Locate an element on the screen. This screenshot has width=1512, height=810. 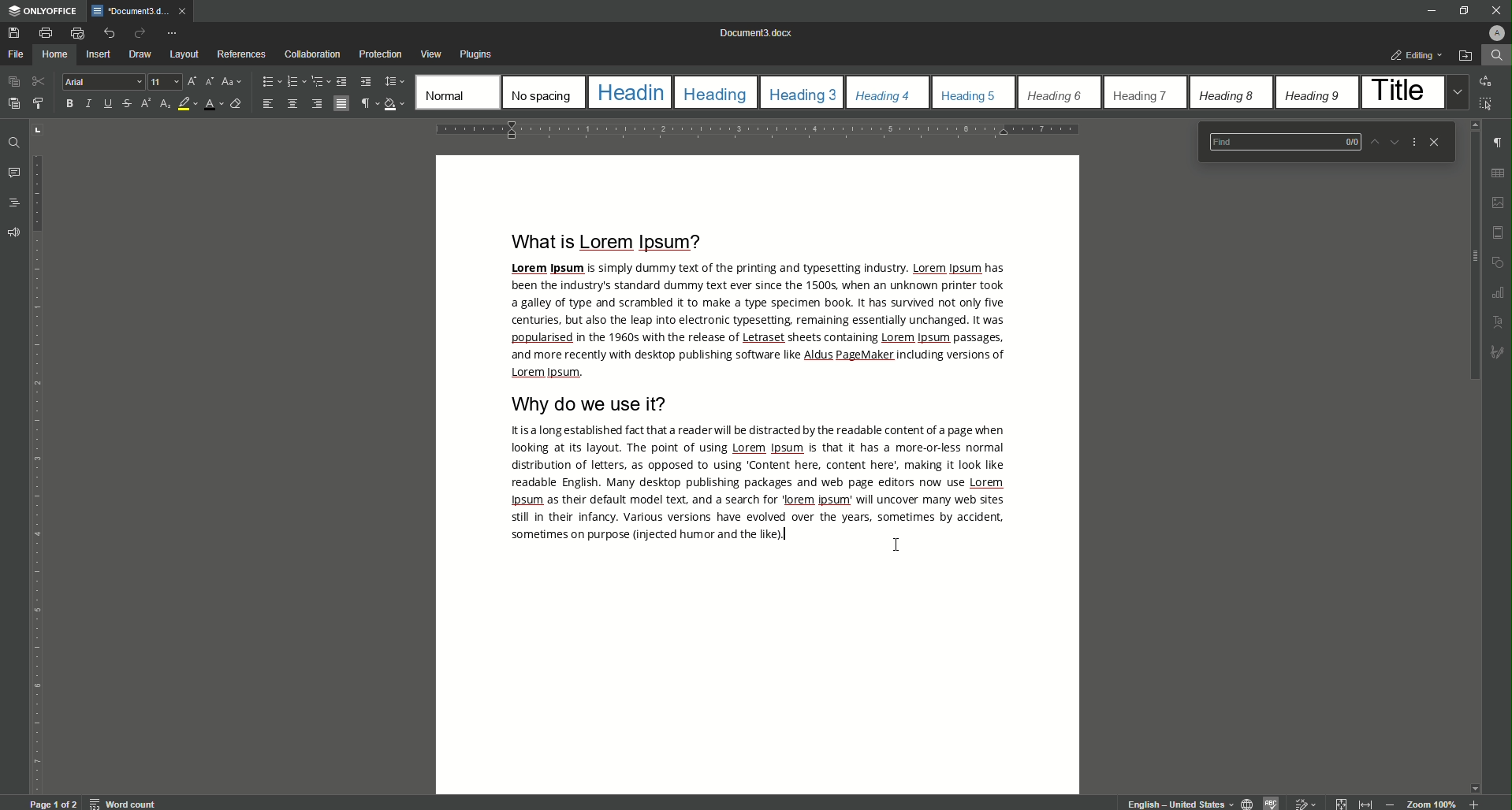
Justified is located at coordinates (341, 104).